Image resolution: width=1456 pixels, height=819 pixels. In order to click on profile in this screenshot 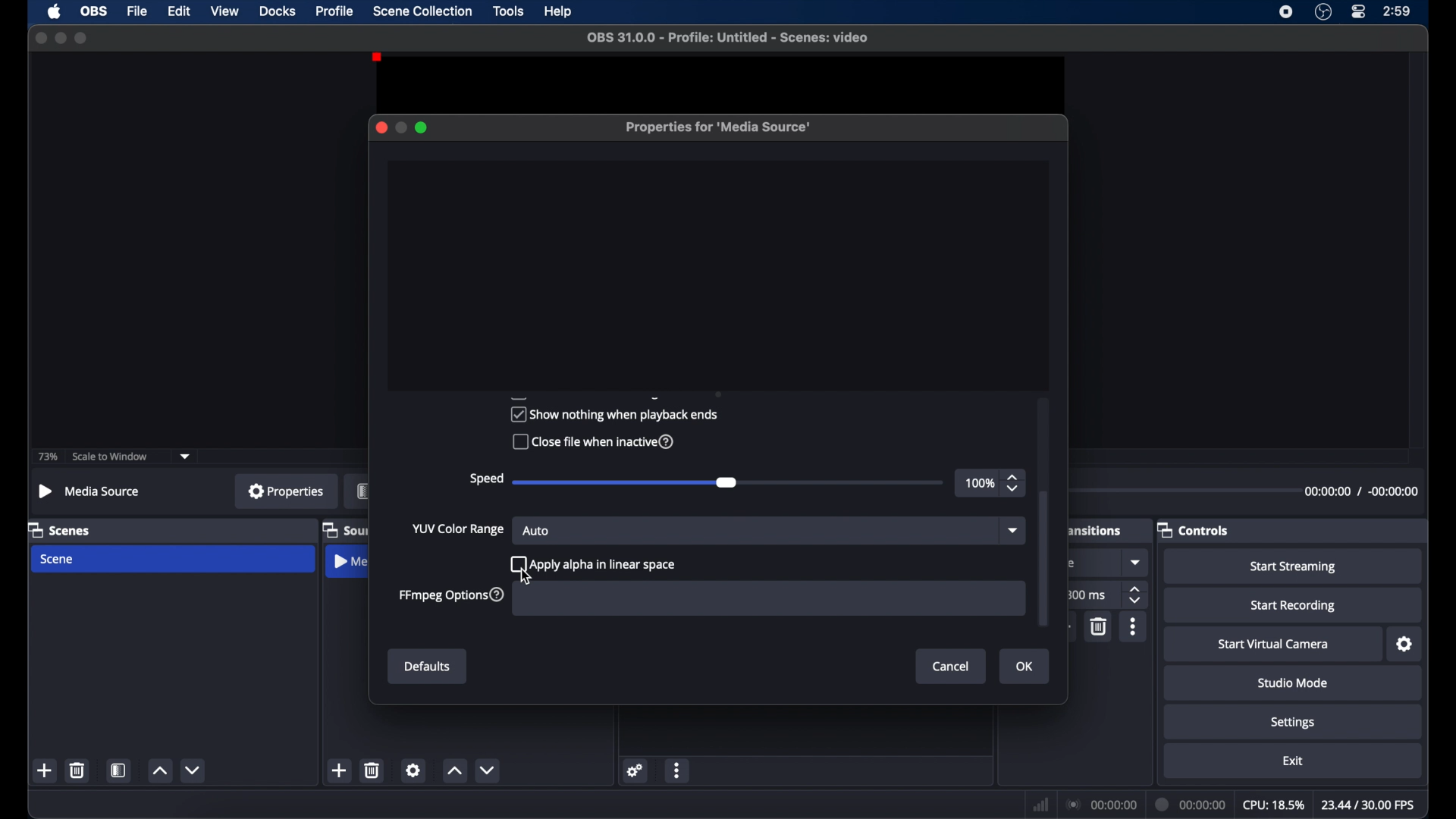, I will do `click(335, 11)`.